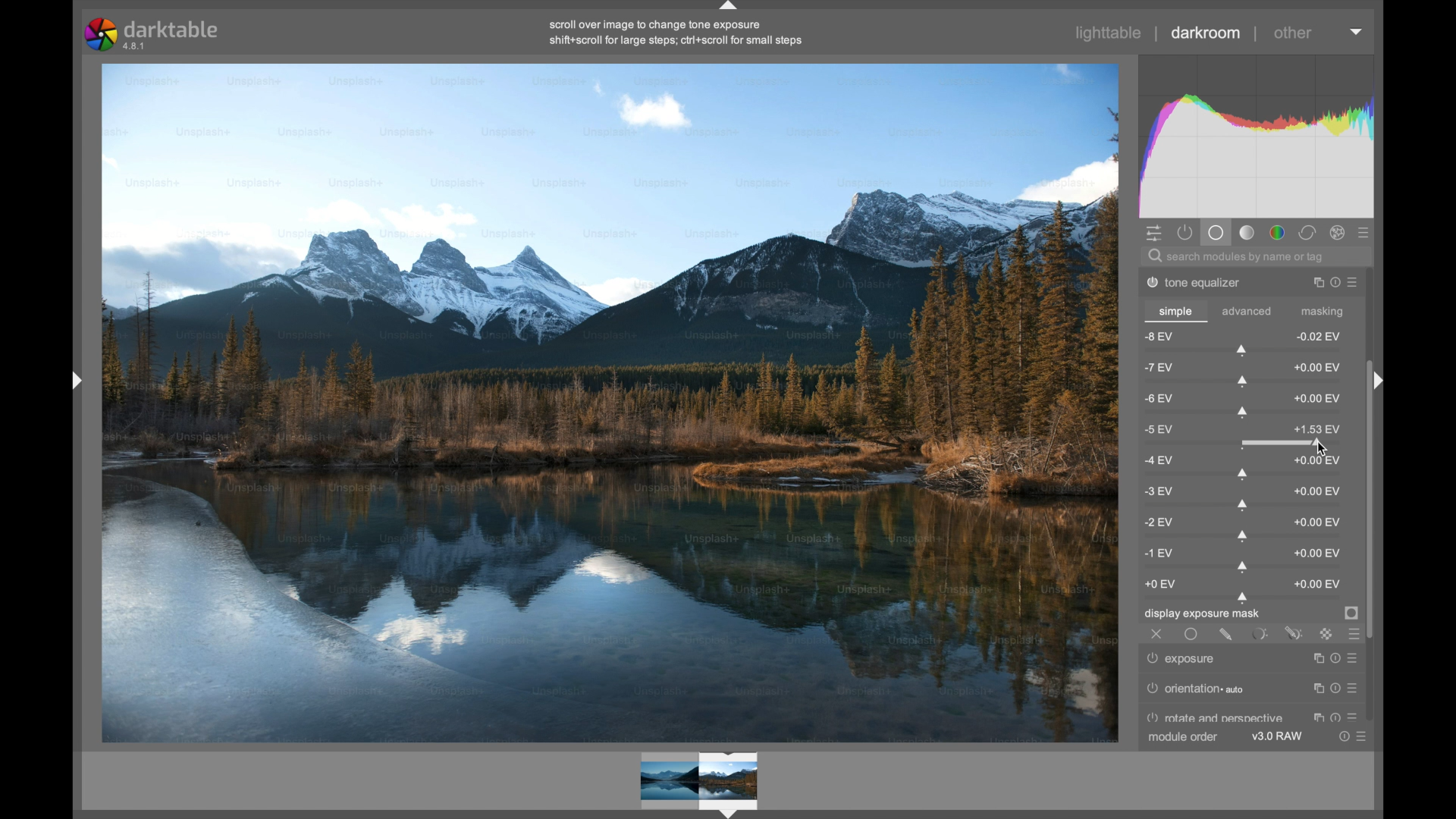 The image size is (1456, 819). What do you see at coordinates (1159, 429) in the screenshot?
I see `-5 ev` at bounding box center [1159, 429].